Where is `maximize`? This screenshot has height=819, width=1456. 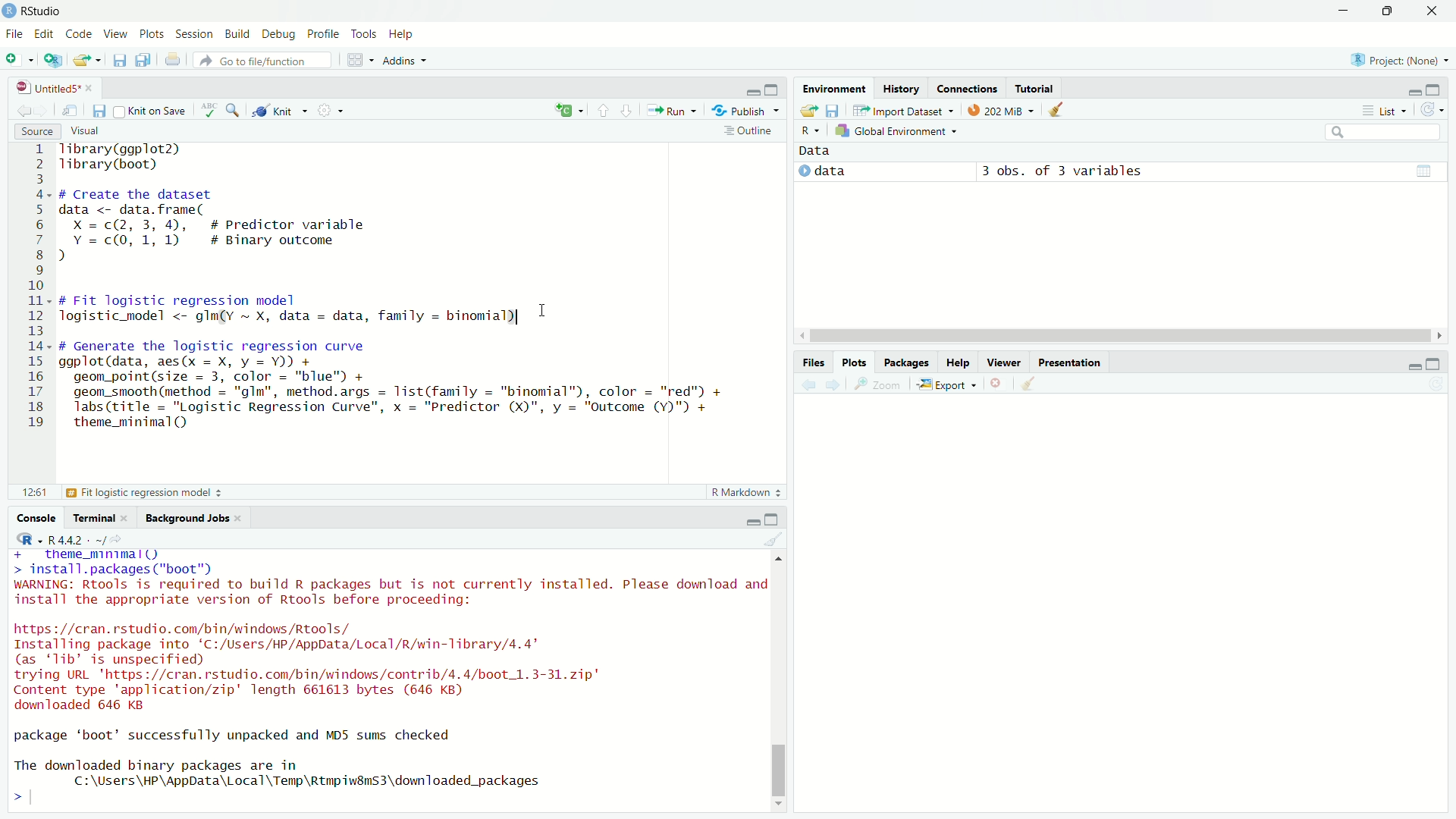
maximize is located at coordinates (772, 89).